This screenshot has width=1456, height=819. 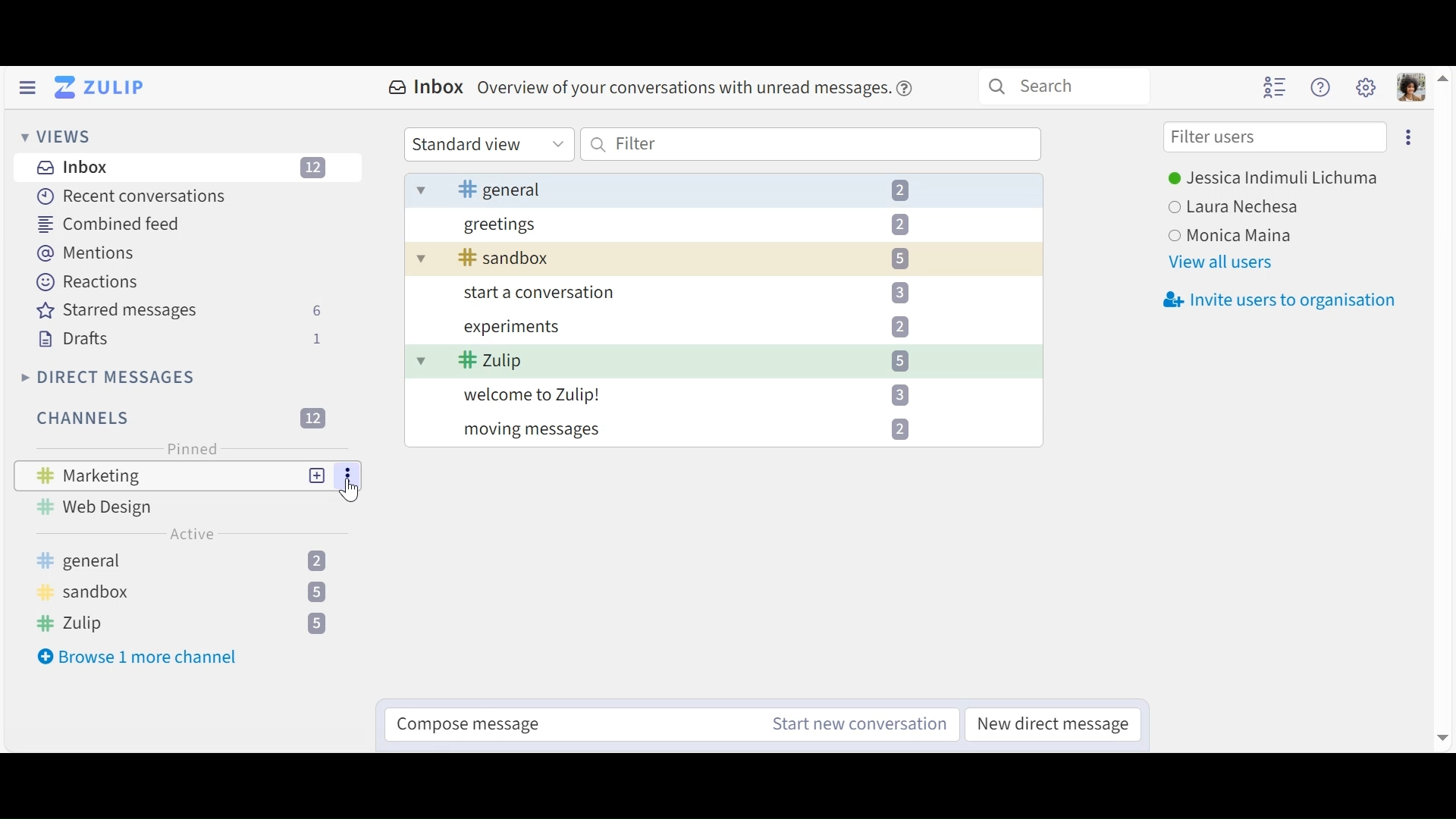 I want to click on Inbox, so click(x=652, y=88).